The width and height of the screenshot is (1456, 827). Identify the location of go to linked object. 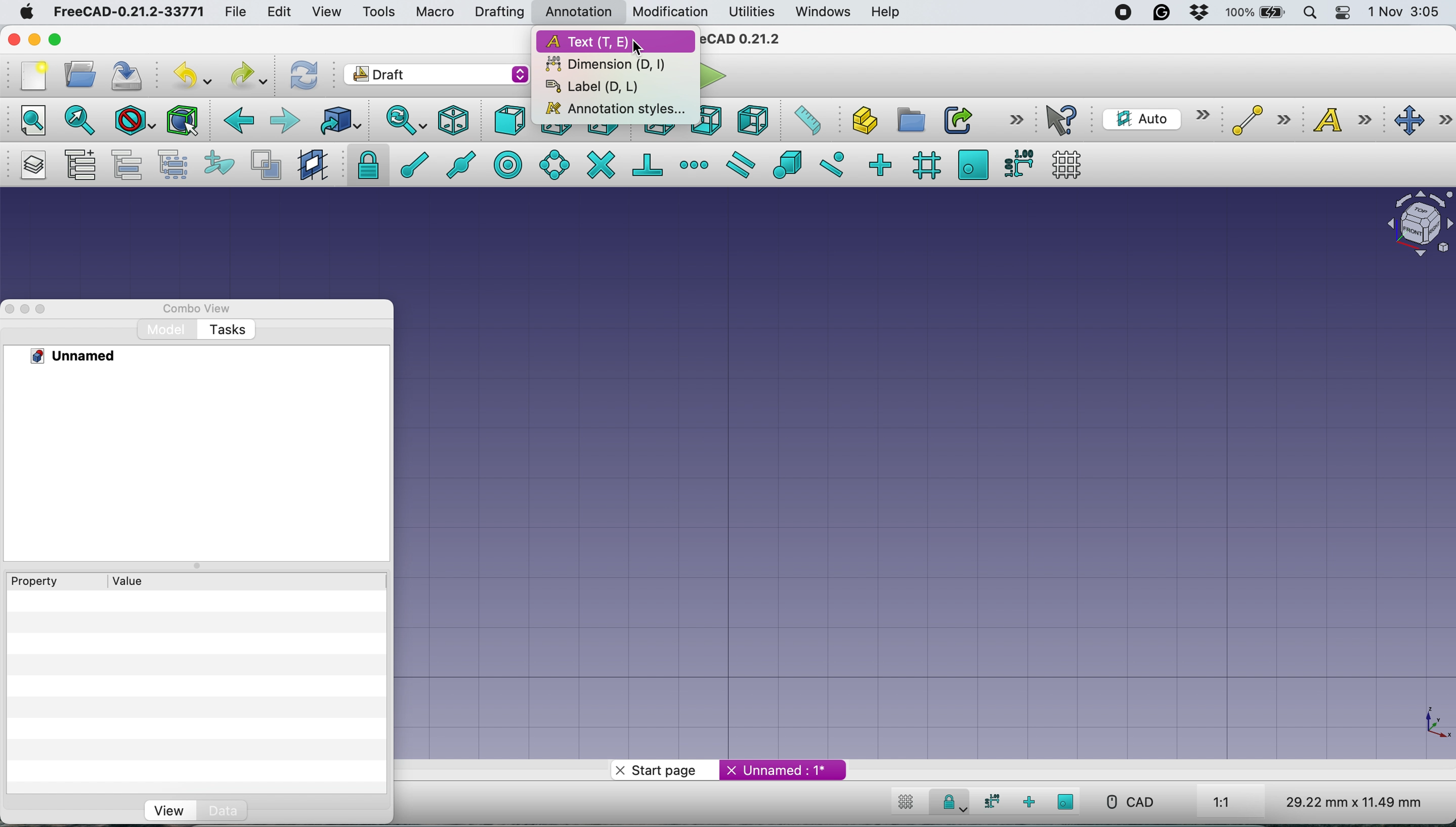
(338, 120).